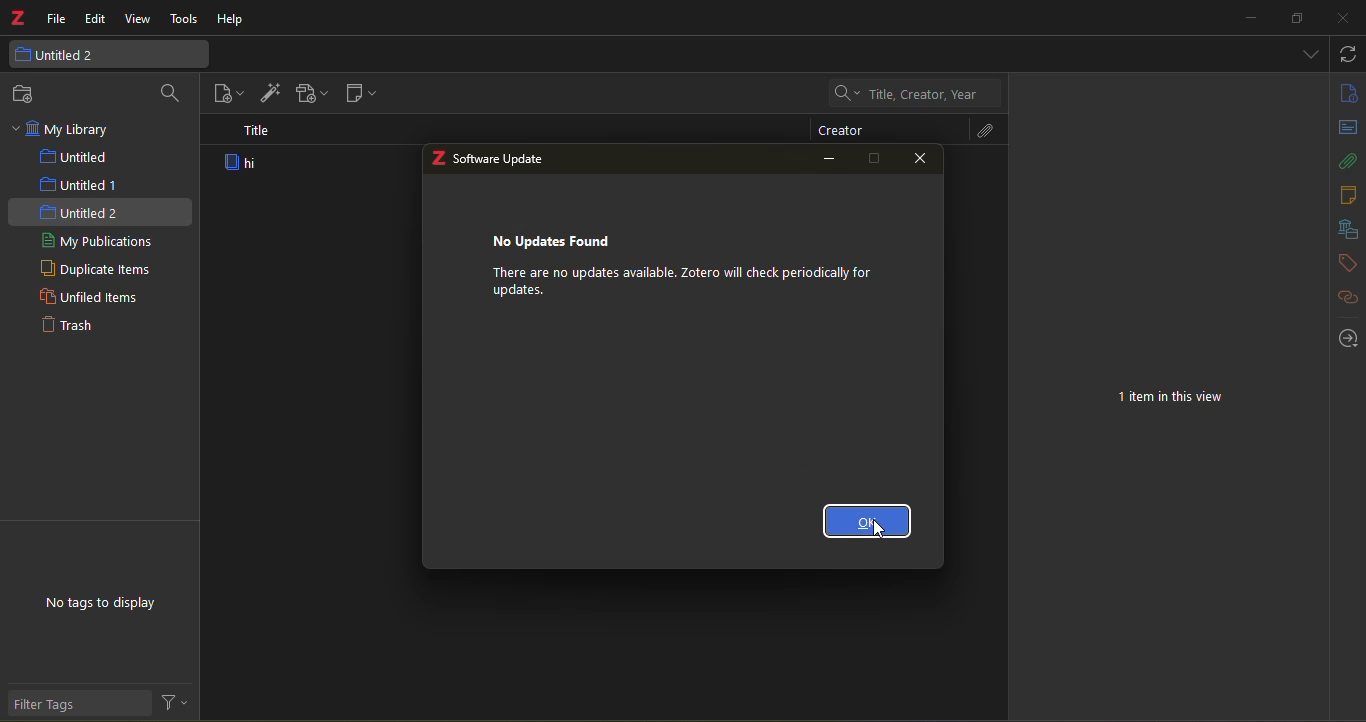 The image size is (1366, 722). What do you see at coordinates (502, 160) in the screenshot?
I see `software update` at bounding box center [502, 160].